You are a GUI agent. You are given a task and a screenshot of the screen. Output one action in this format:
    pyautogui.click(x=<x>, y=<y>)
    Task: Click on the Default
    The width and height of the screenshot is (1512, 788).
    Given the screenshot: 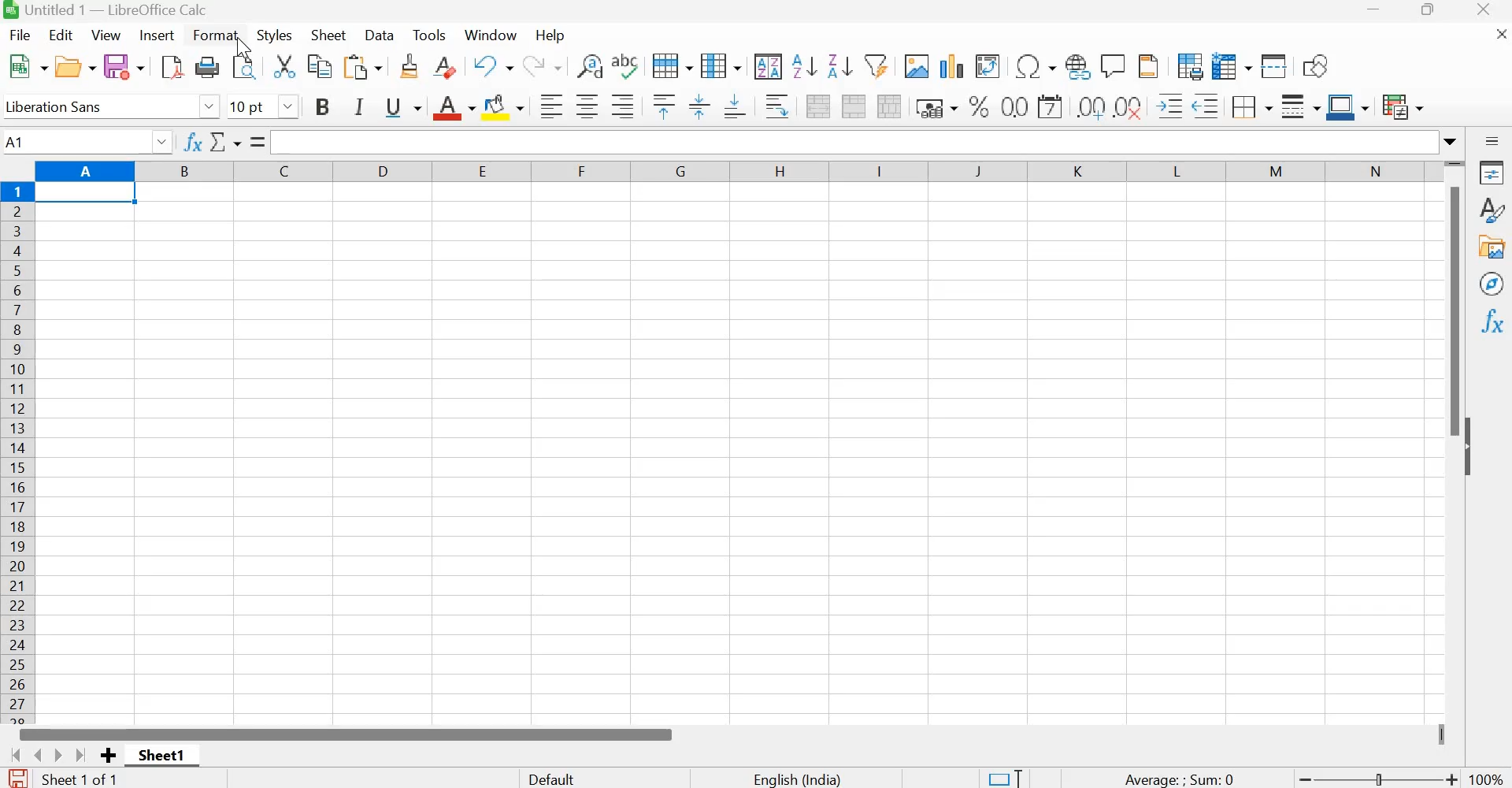 What is the action you would take?
    pyautogui.click(x=566, y=777)
    